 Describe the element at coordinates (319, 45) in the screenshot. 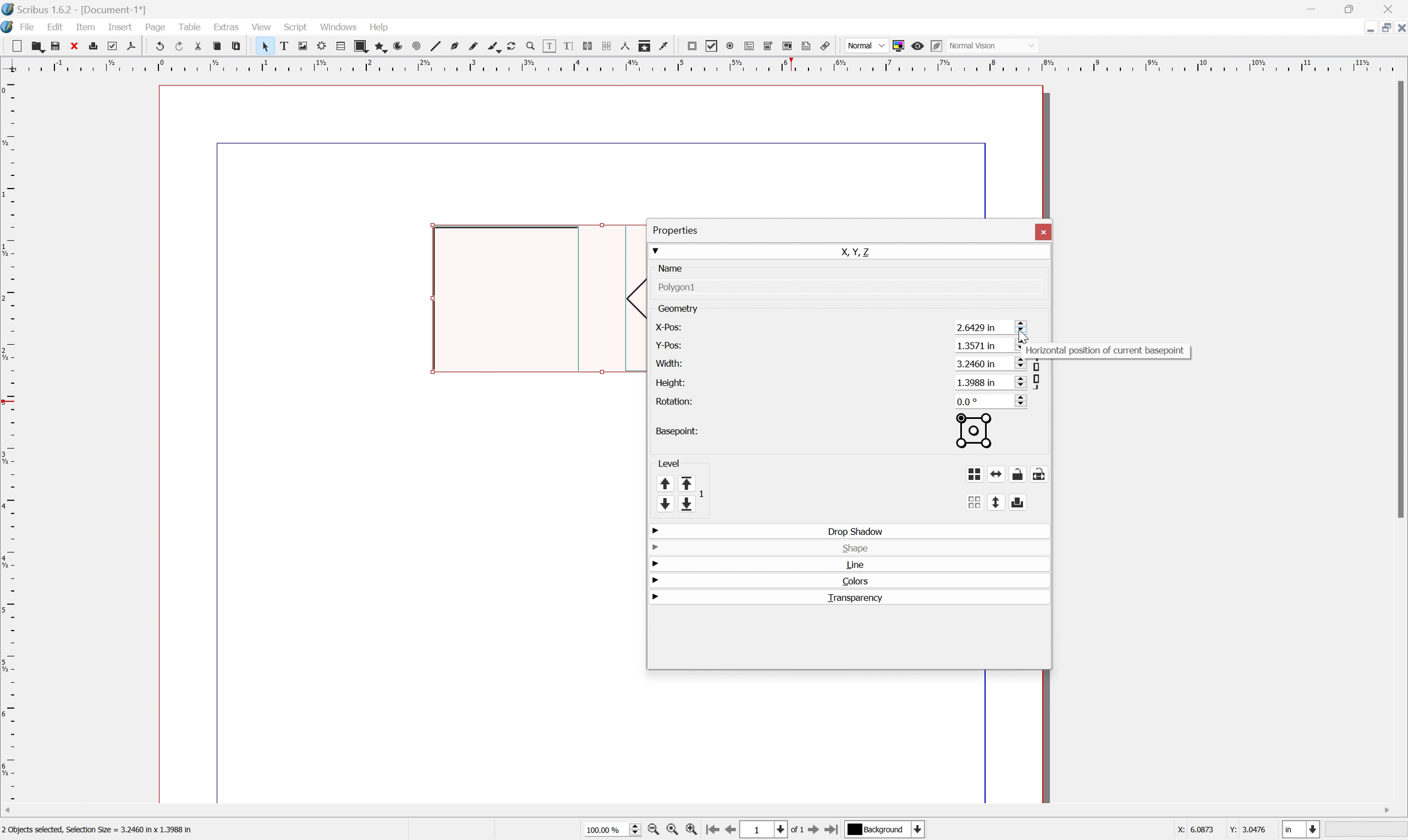

I see `render frame` at that location.